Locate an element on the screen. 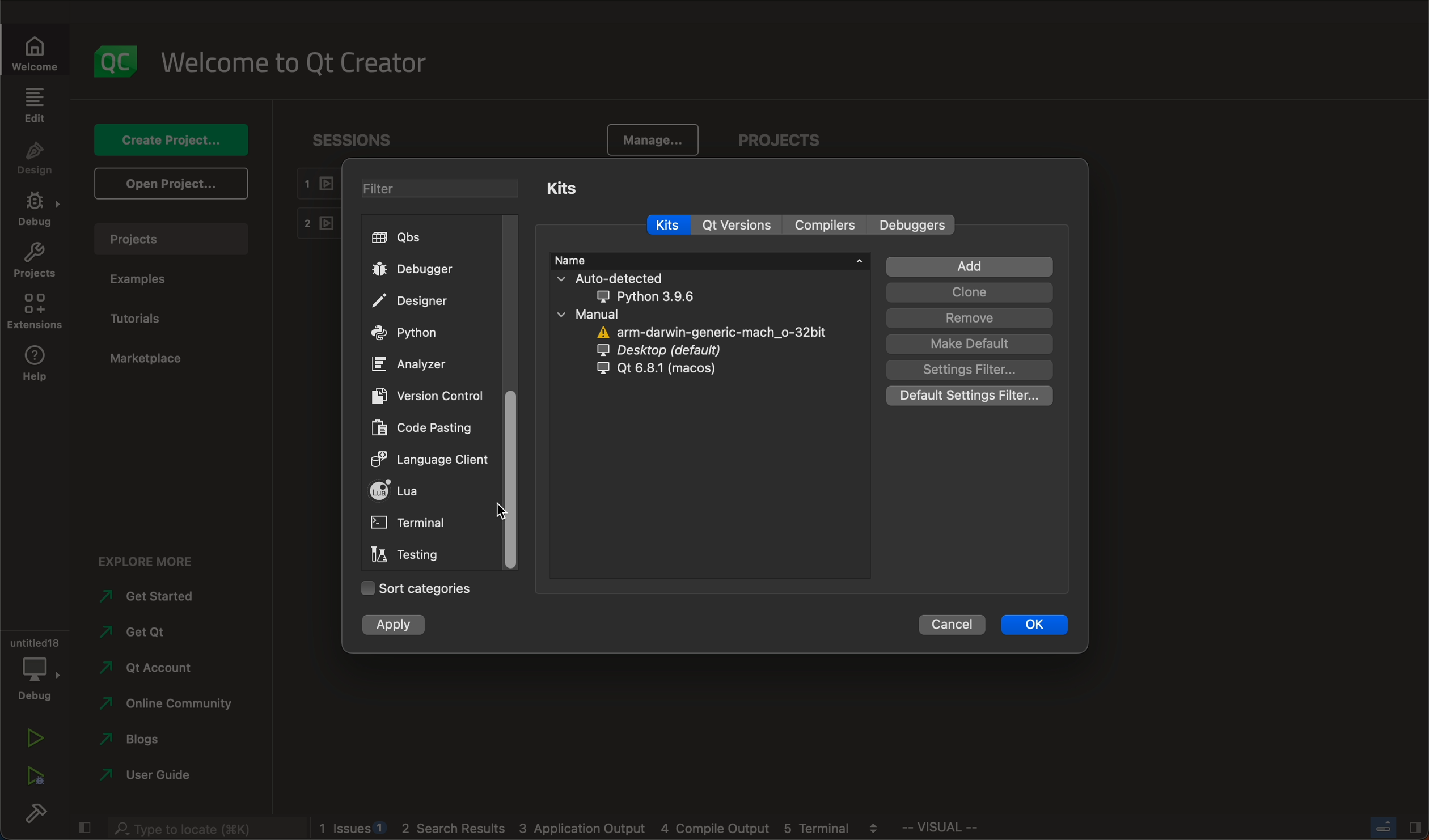 This screenshot has width=1429, height=840. auto detected is located at coordinates (637, 287).